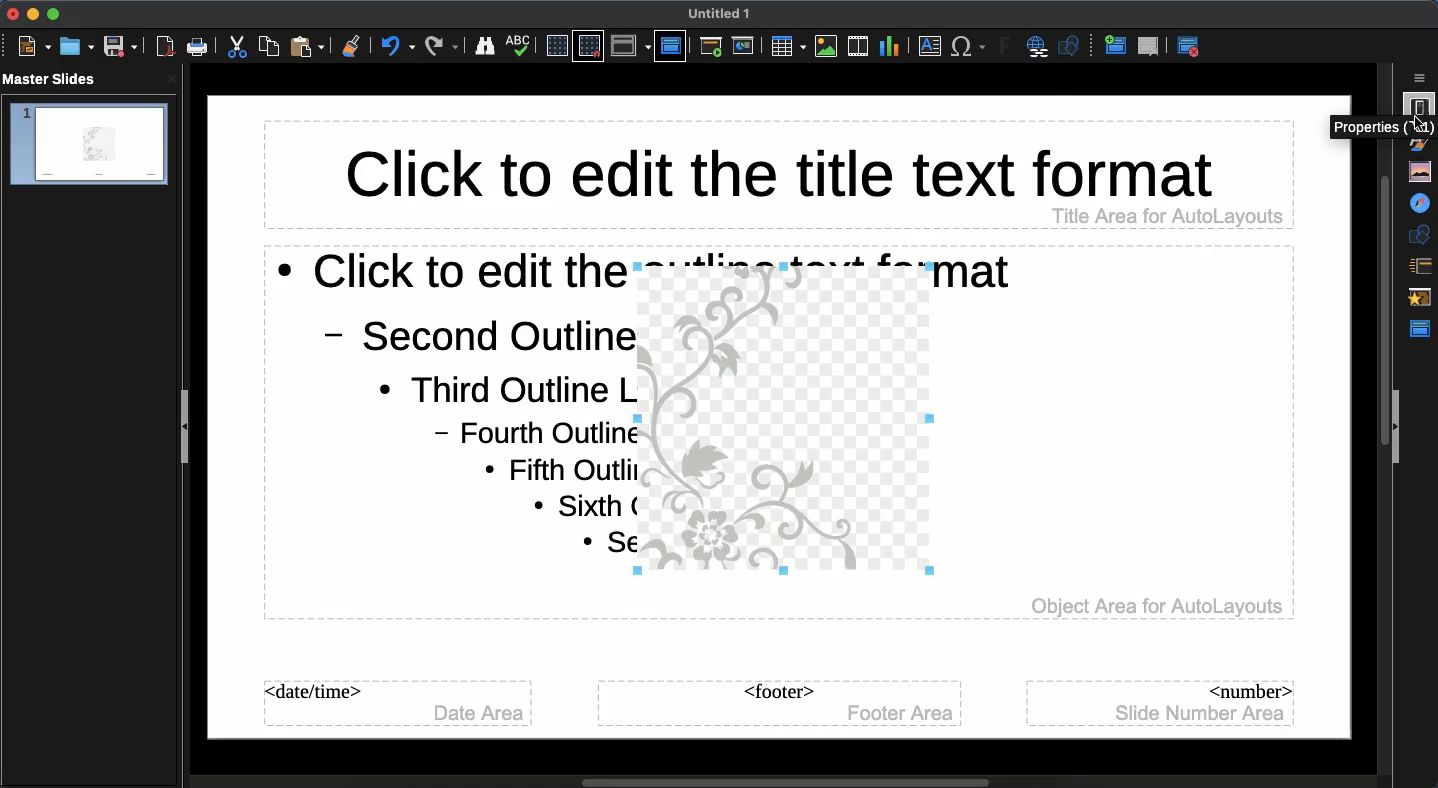  I want to click on Print, so click(198, 47).